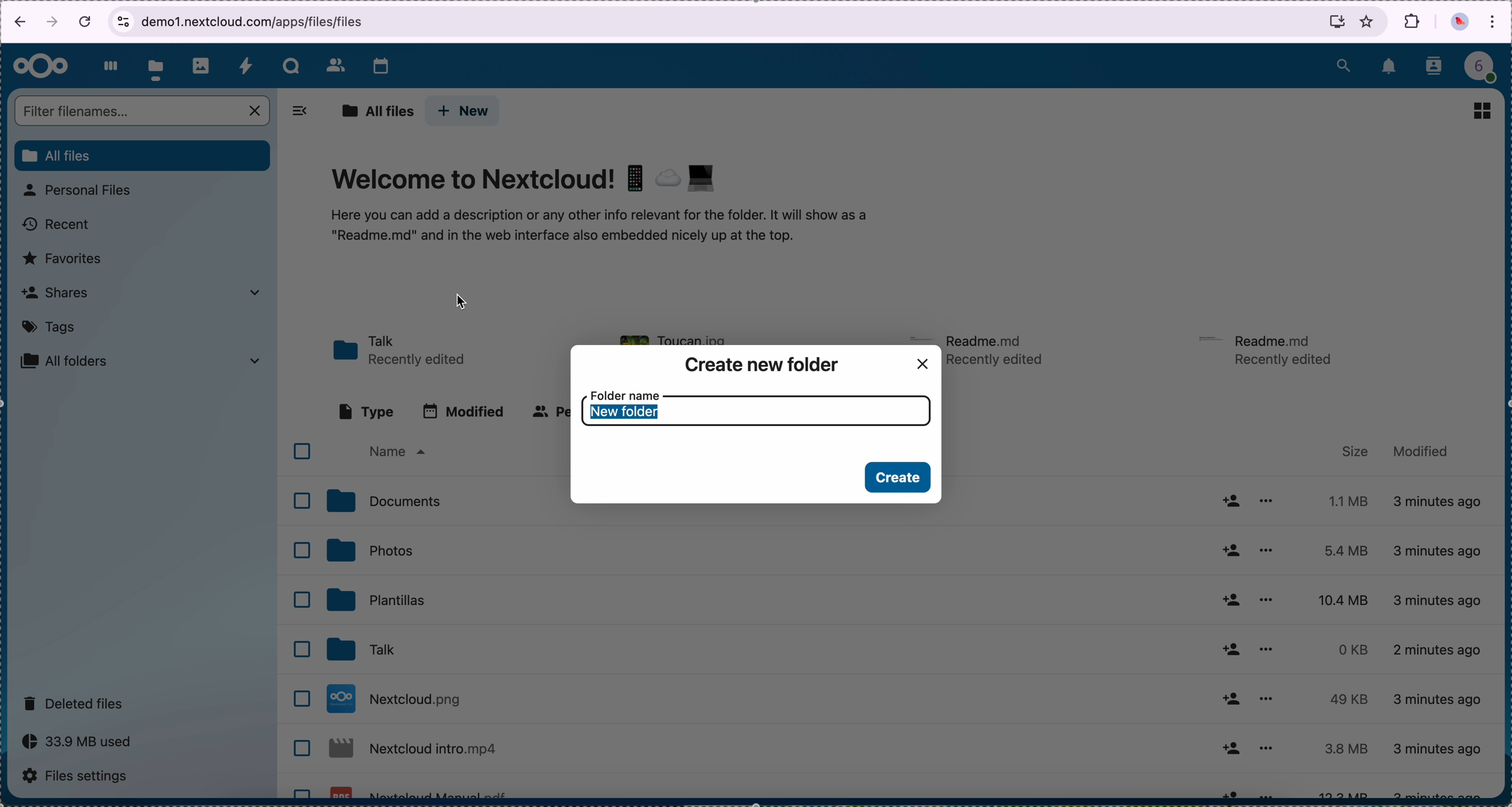 The height and width of the screenshot is (807, 1512). What do you see at coordinates (1227, 792) in the screenshot?
I see `share` at bounding box center [1227, 792].